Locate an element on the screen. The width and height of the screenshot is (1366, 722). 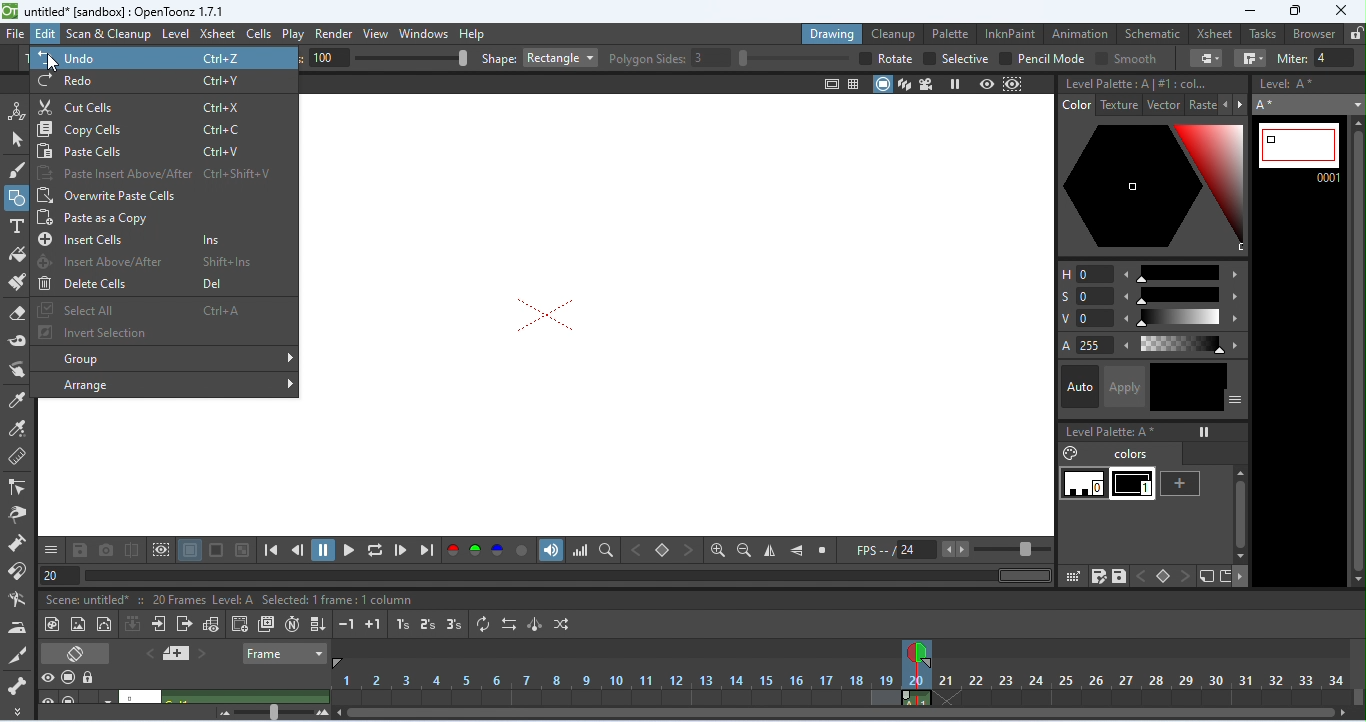
next frame is located at coordinates (400, 550).